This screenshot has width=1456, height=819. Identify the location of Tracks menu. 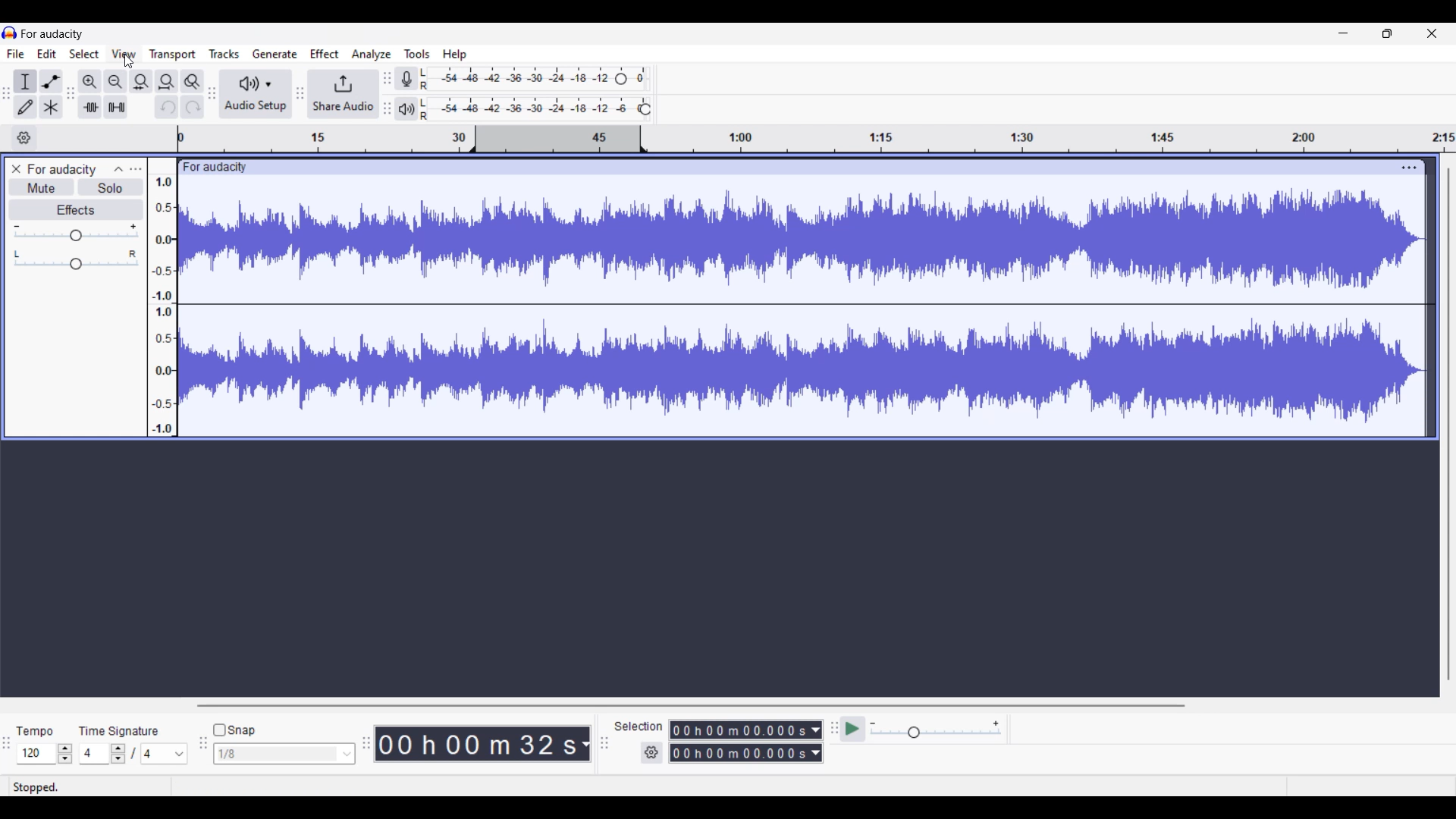
(224, 54).